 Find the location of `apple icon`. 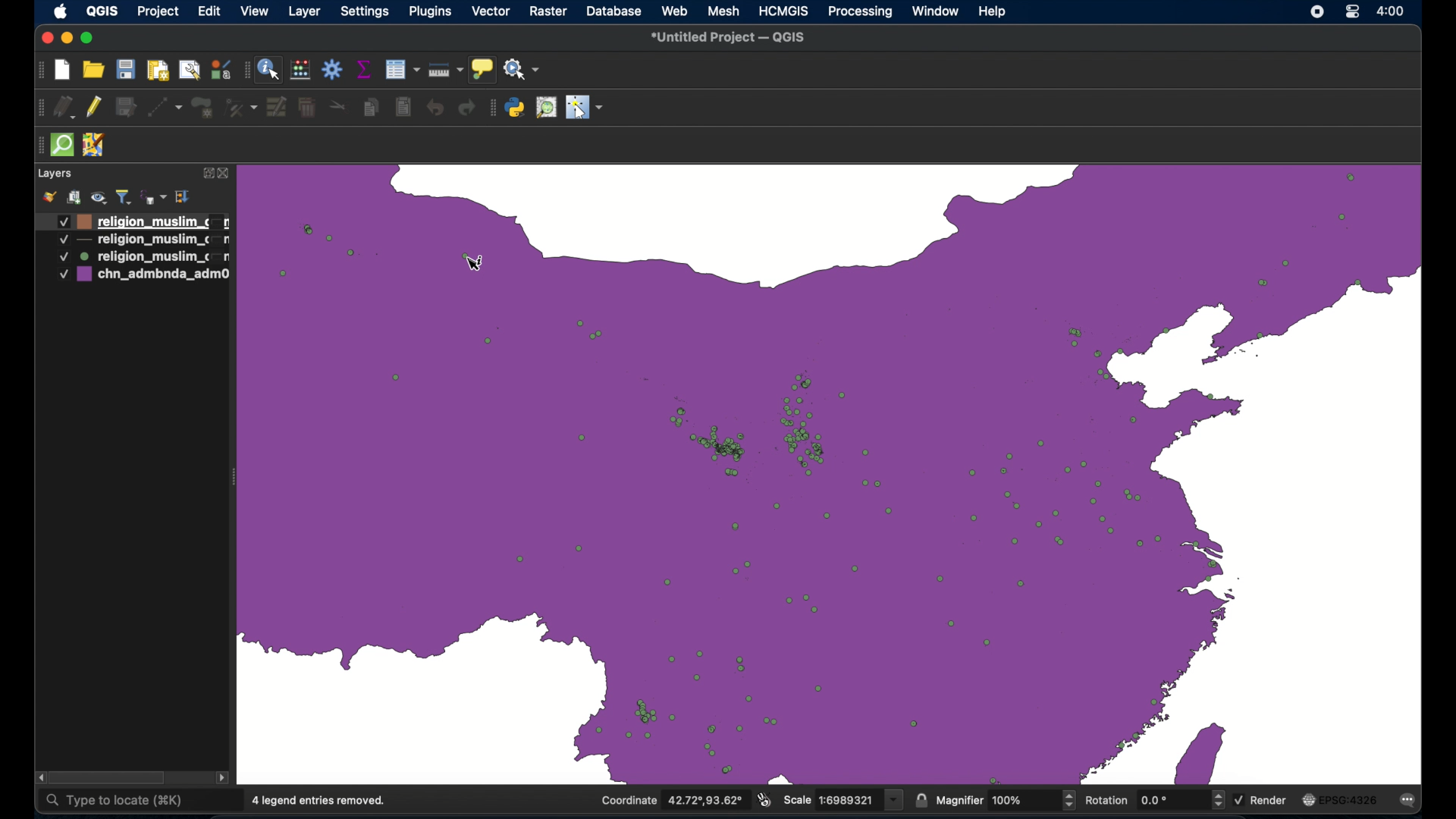

apple icon is located at coordinates (61, 13).